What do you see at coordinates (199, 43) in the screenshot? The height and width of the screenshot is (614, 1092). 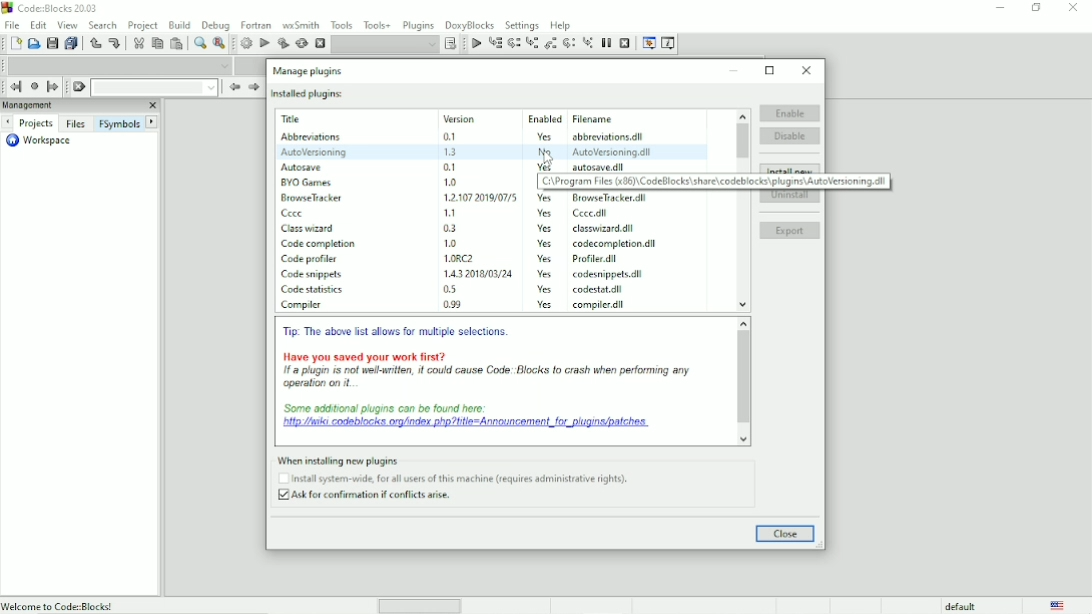 I see `Find` at bounding box center [199, 43].